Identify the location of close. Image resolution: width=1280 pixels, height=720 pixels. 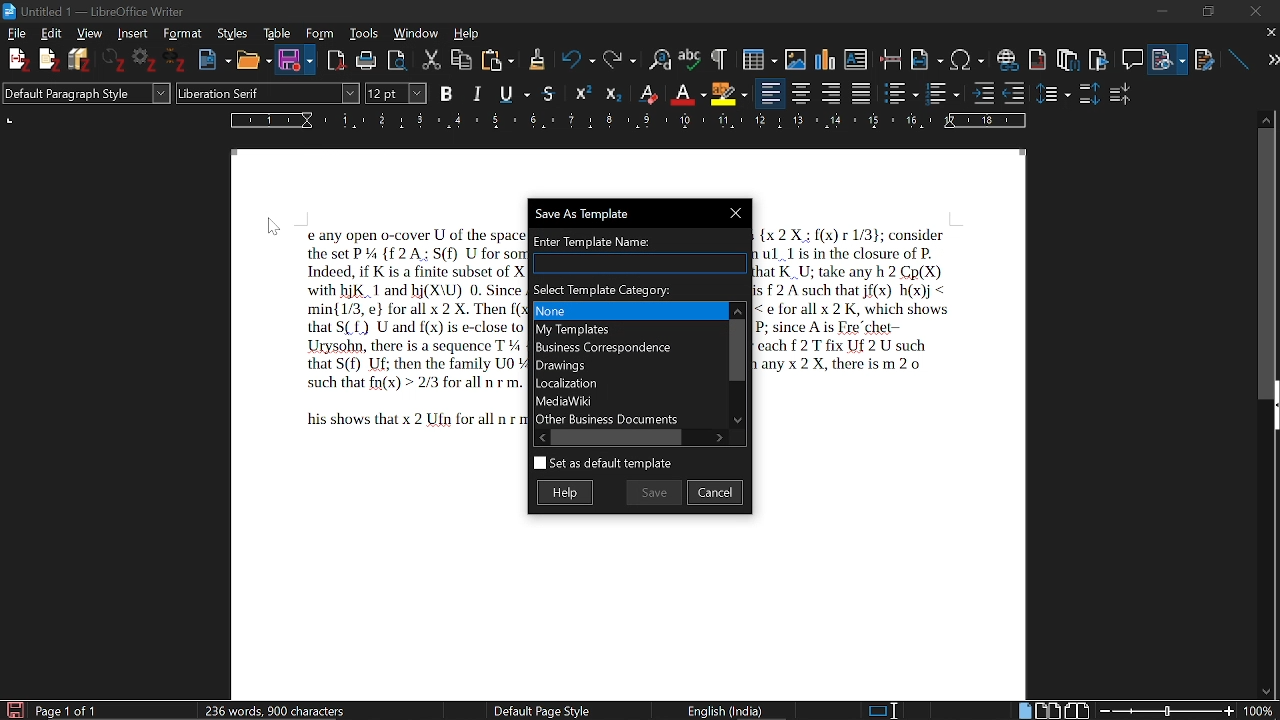
(1269, 34).